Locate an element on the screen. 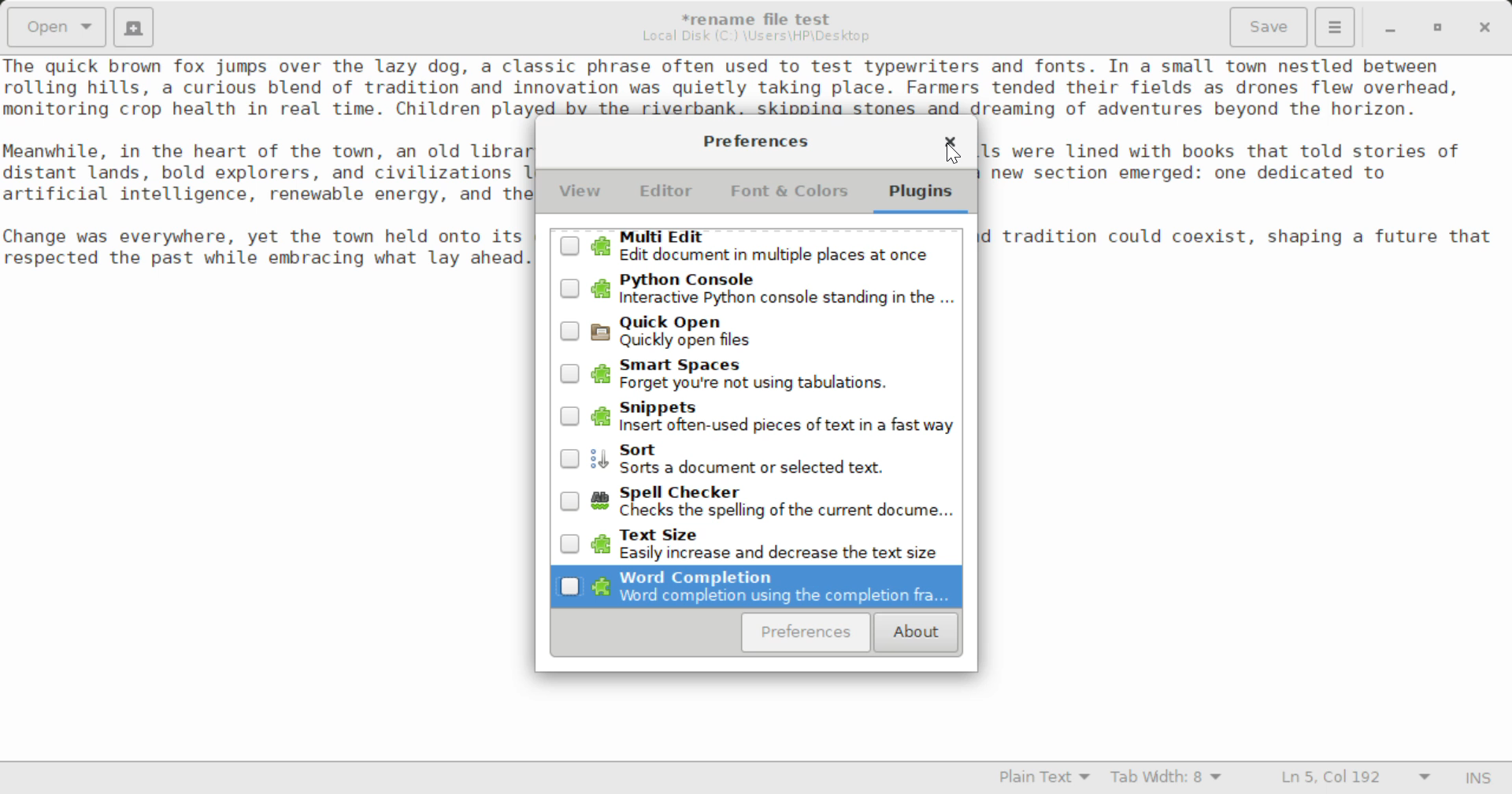 The image size is (1512, 794). Tab Width  is located at coordinates (1169, 779).